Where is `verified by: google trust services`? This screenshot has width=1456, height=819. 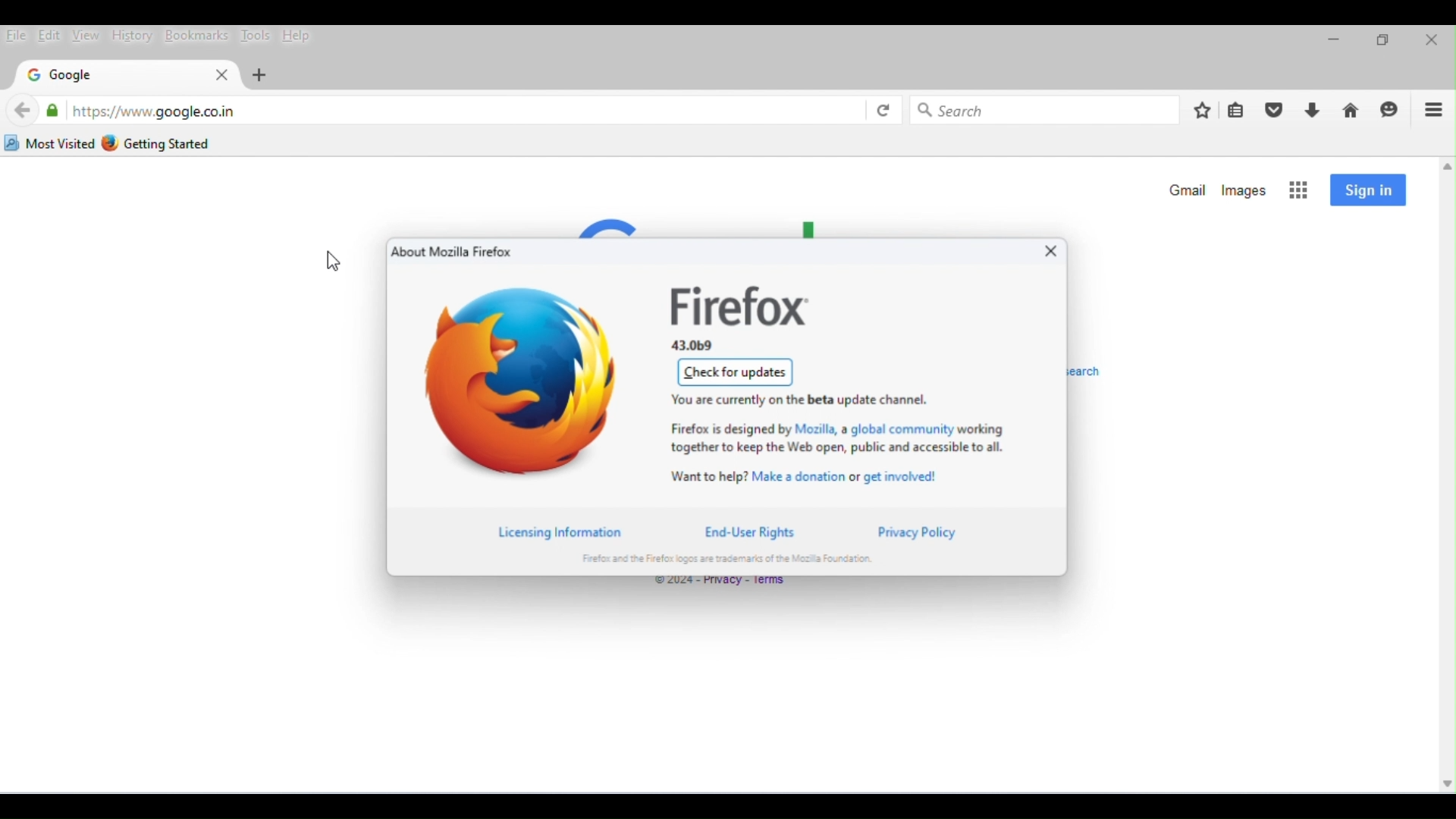
verified by: google trust services is located at coordinates (52, 110).